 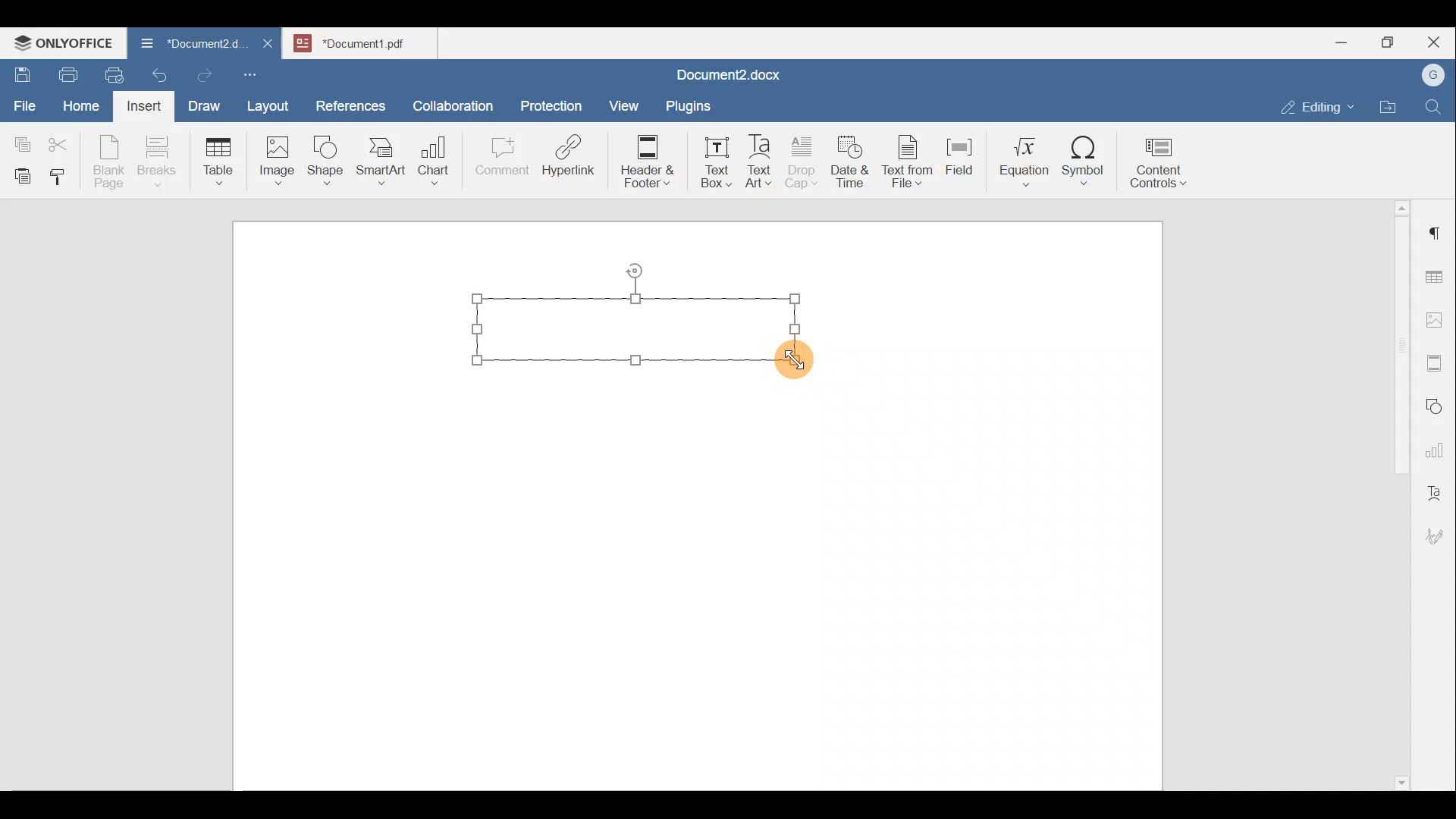 I want to click on Symbol, so click(x=1084, y=165).